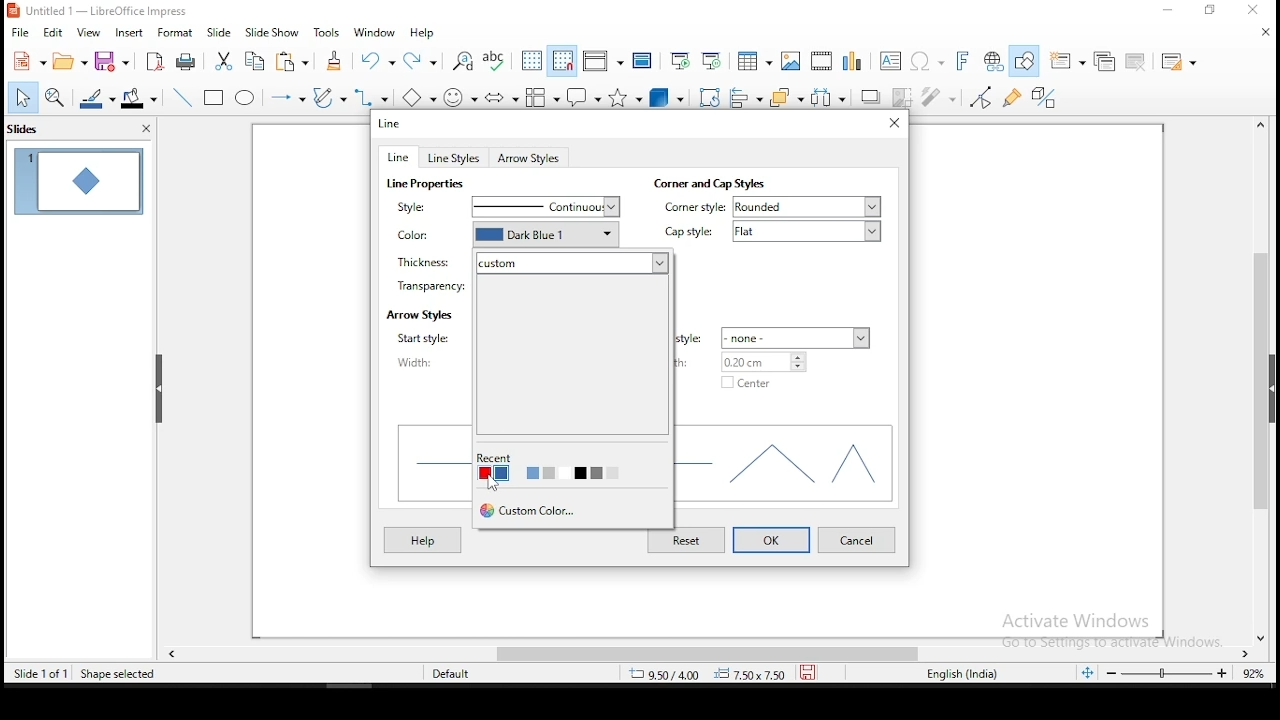  What do you see at coordinates (188, 59) in the screenshot?
I see `print` at bounding box center [188, 59].